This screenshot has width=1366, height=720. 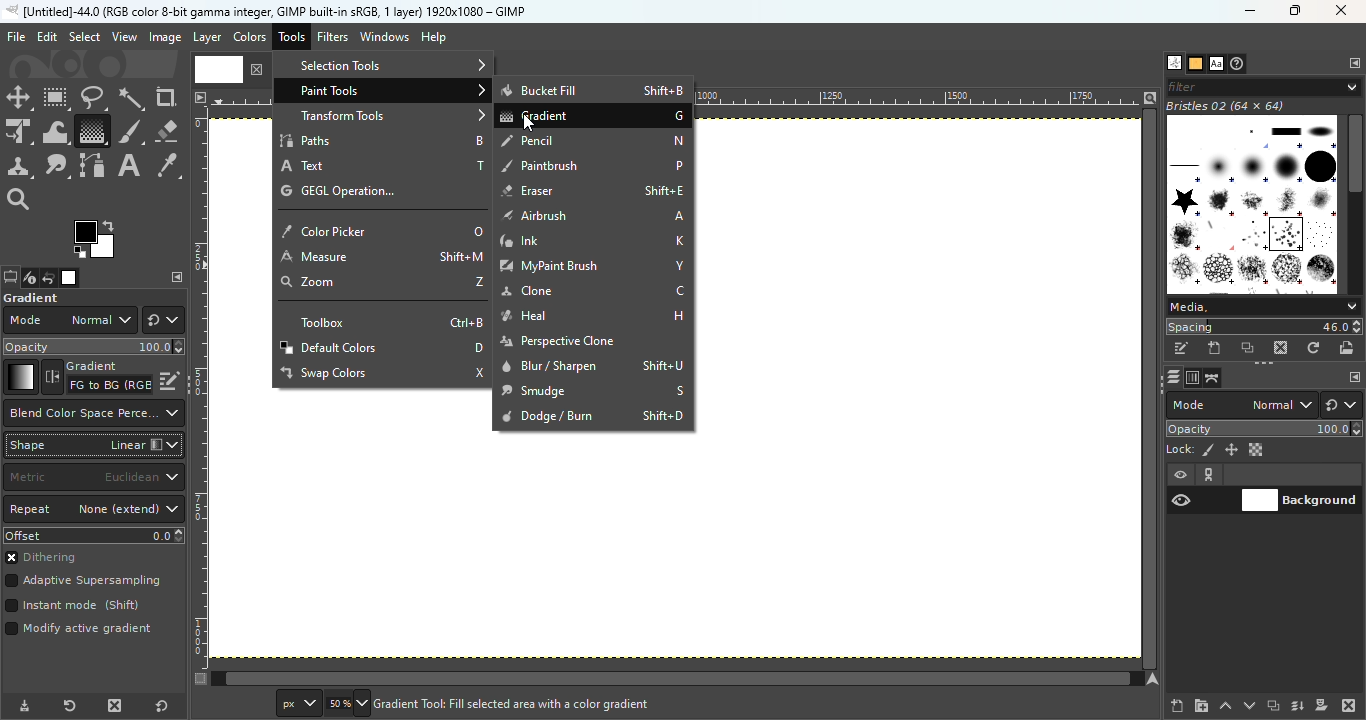 What do you see at coordinates (1282, 347) in the screenshot?
I see `Delete this brush` at bounding box center [1282, 347].